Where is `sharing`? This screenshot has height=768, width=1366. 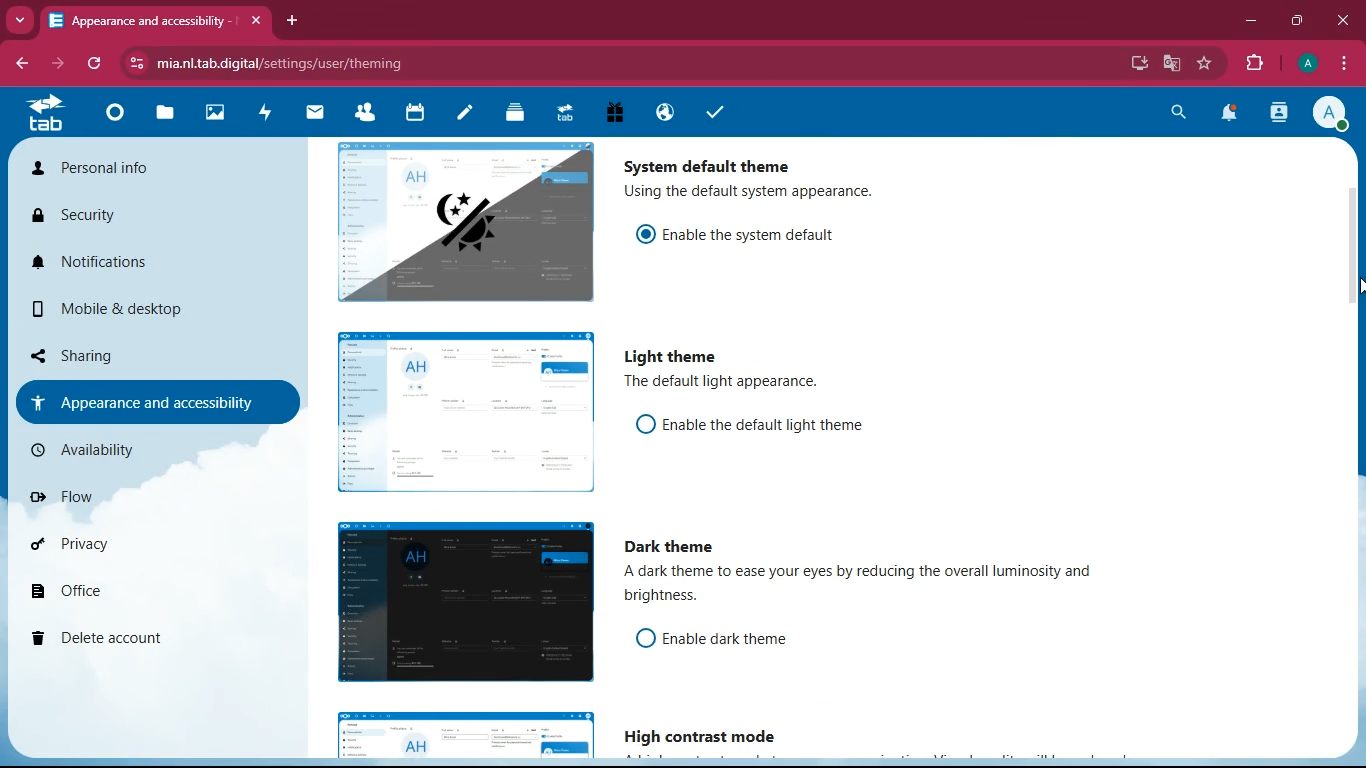
sharing is located at coordinates (132, 351).